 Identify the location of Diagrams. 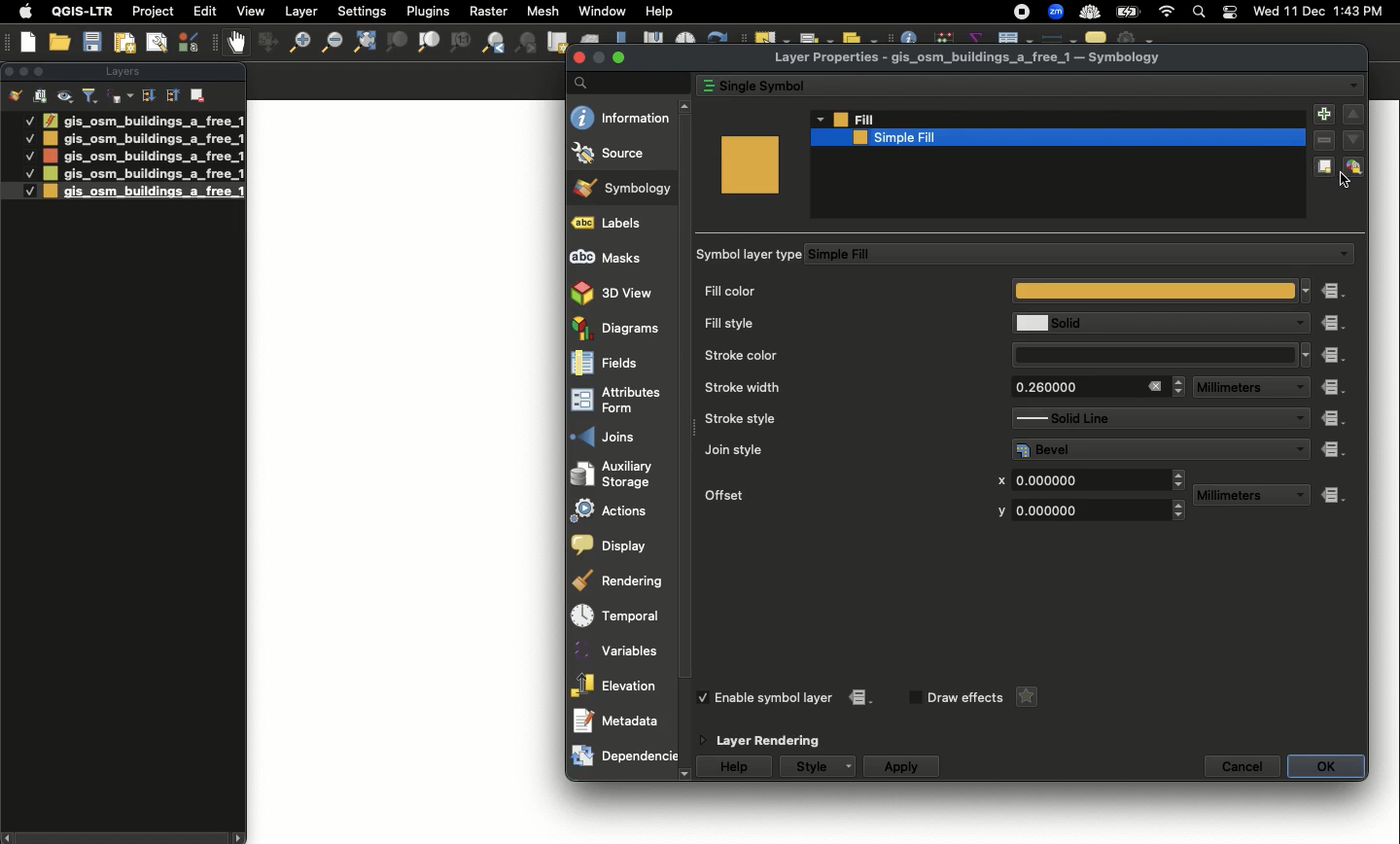
(621, 328).